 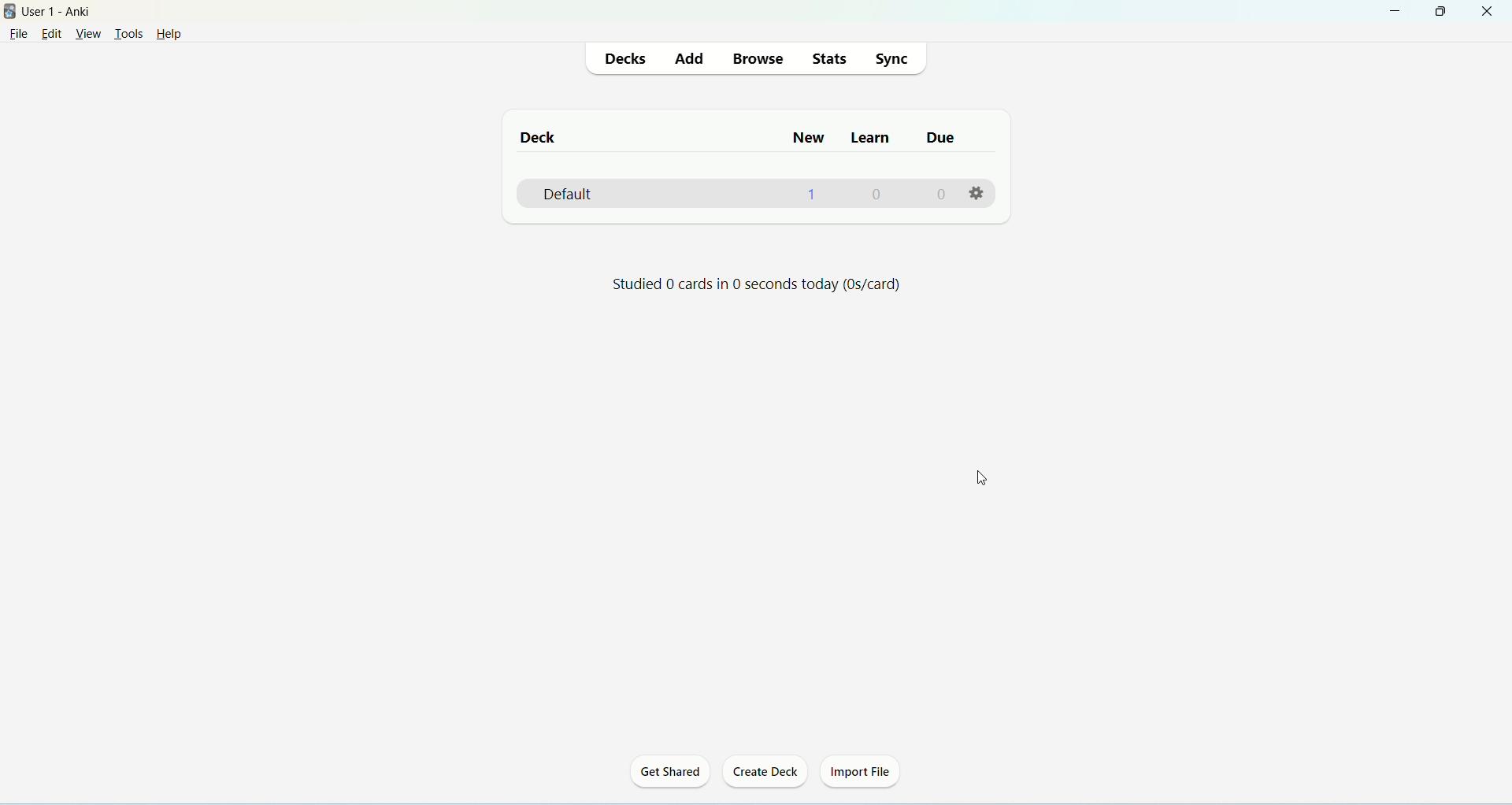 What do you see at coordinates (177, 33) in the screenshot?
I see `help` at bounding box center [177, 33].